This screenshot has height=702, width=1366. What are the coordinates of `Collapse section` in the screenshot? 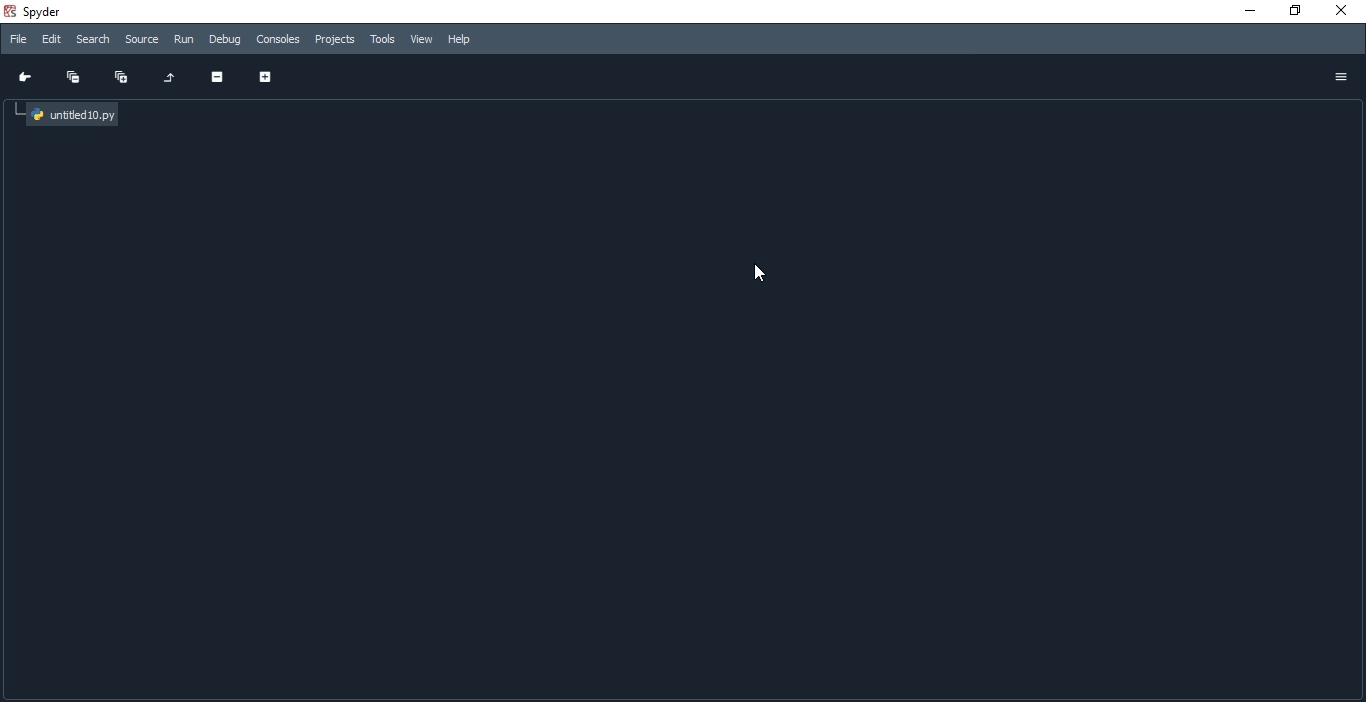 It's located at (219, 74).